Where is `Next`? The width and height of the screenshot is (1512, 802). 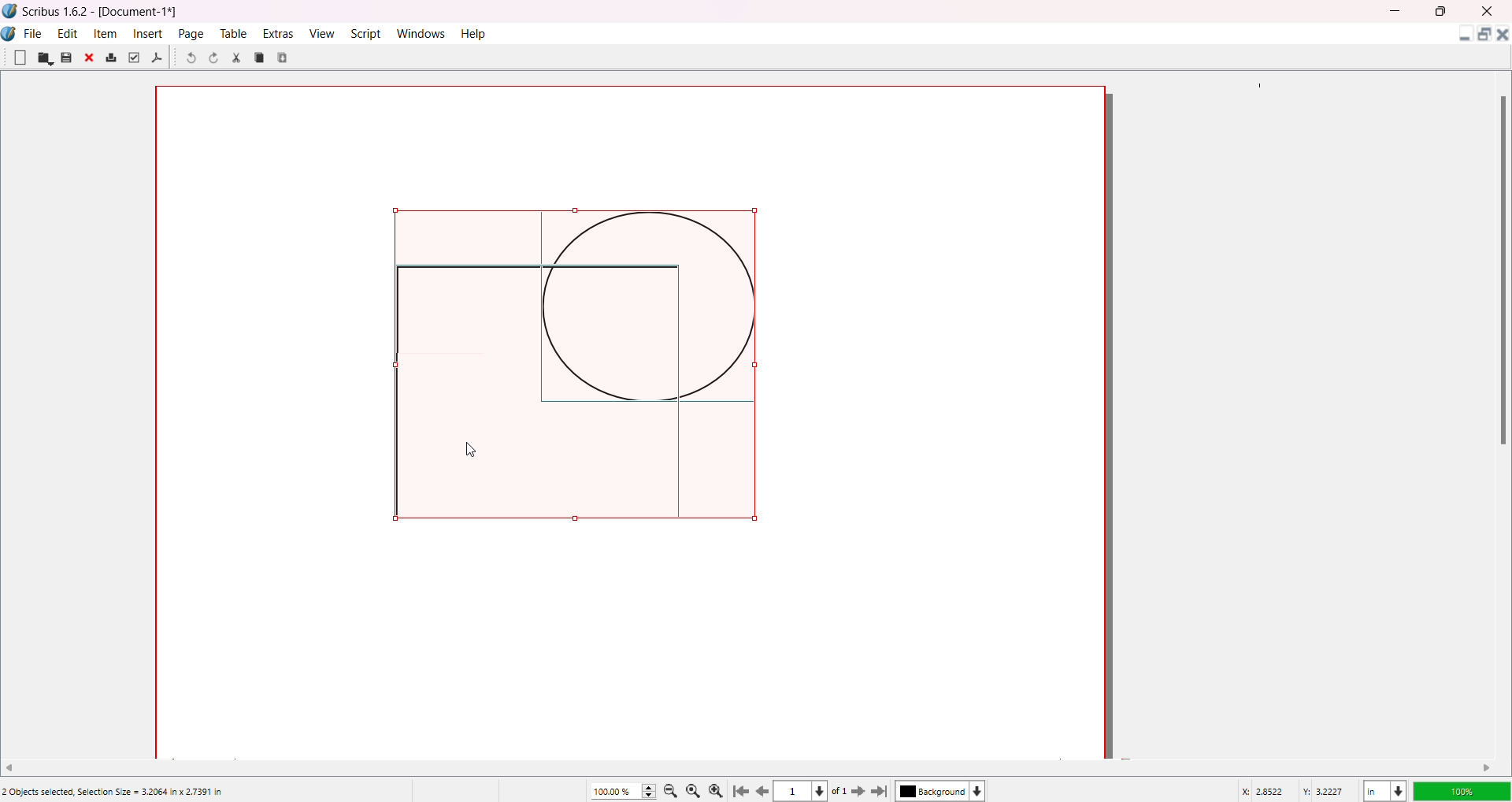 Next is located at coordinates (854, 790).